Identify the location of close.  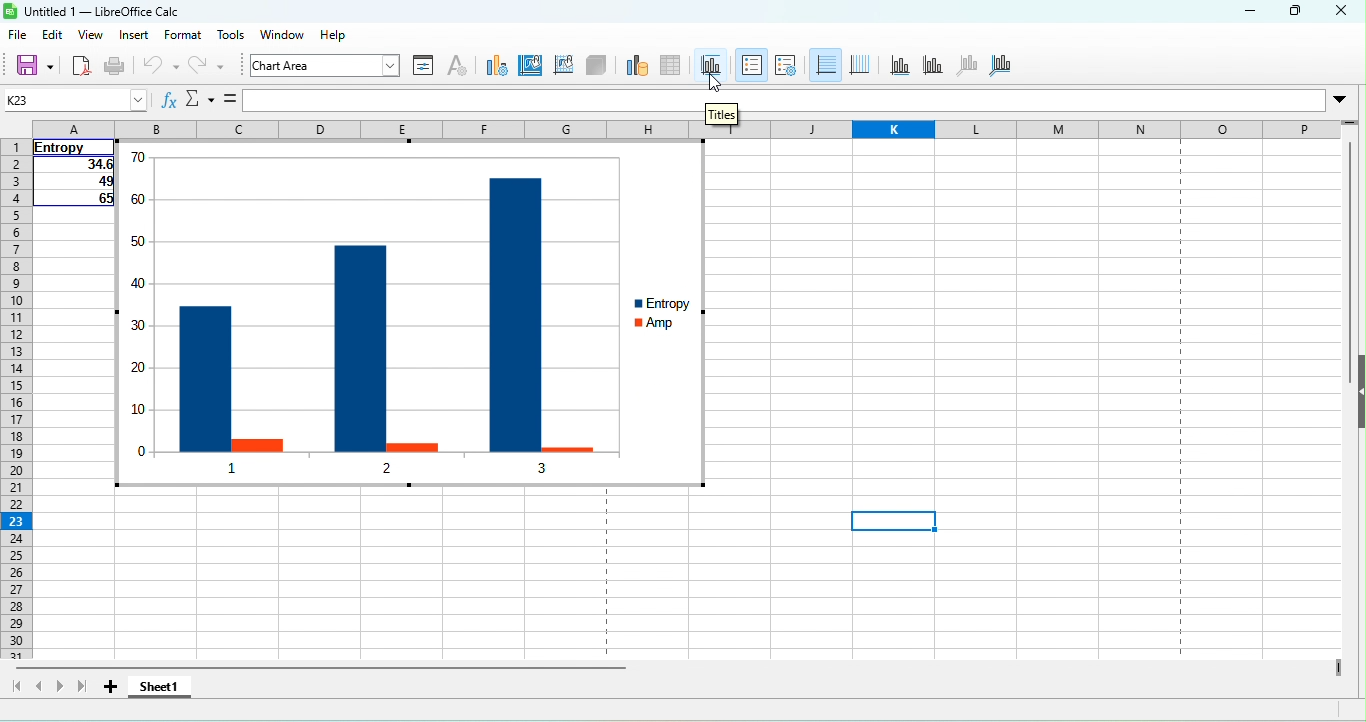
(1346, 12).